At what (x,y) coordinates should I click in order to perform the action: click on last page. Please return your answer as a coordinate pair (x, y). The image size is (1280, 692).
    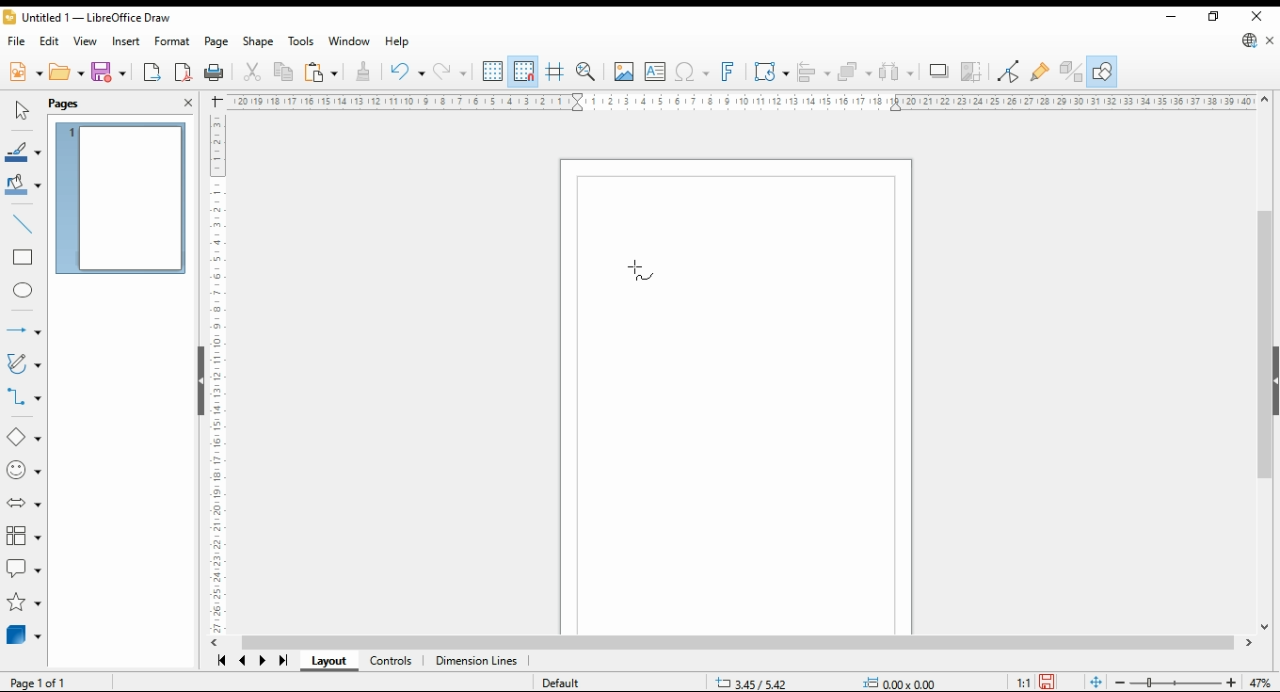
    Looking at the image, I should click on (282, 662).